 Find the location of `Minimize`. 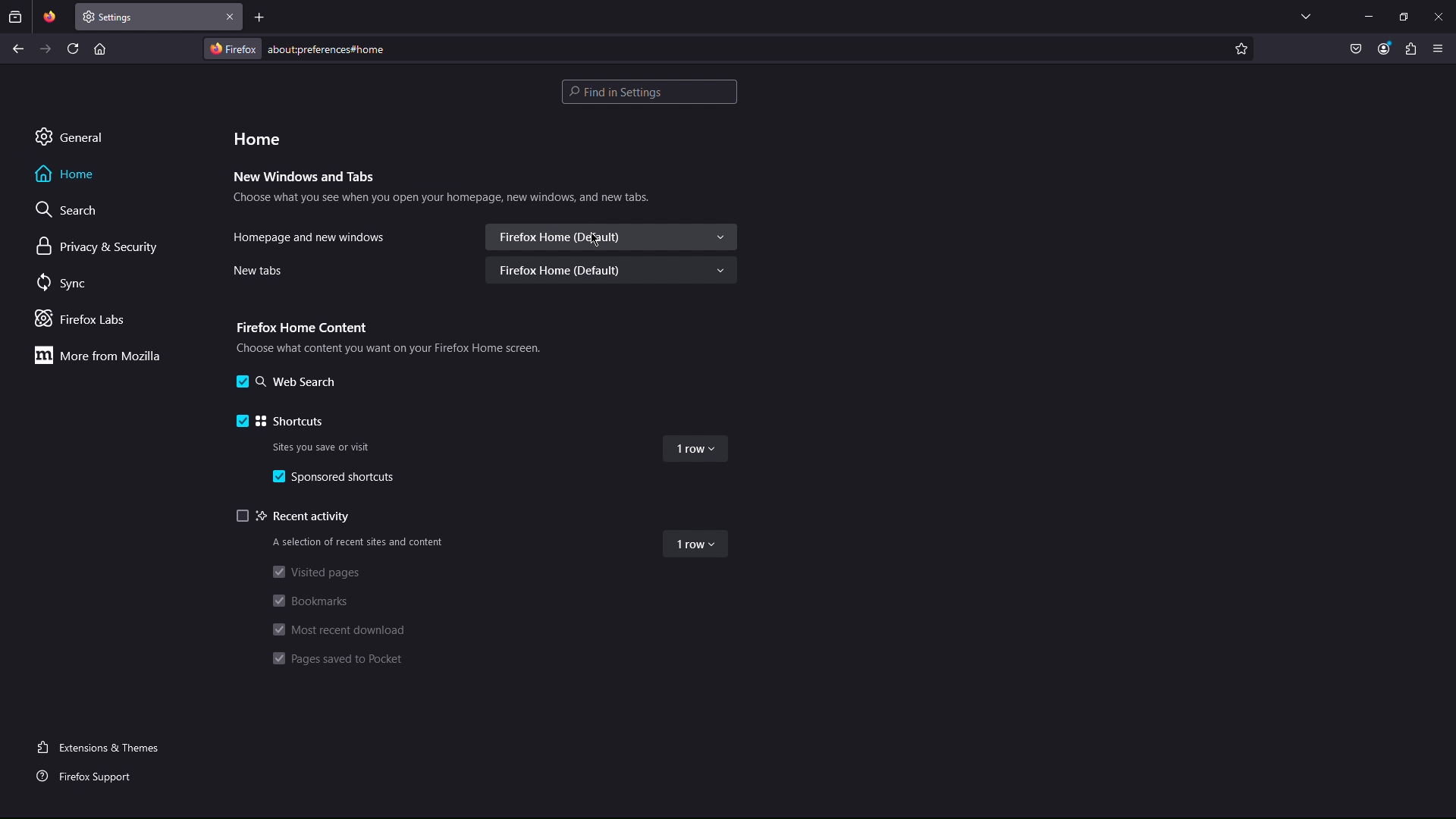

Minimize is located at coordinates (1368, 16).